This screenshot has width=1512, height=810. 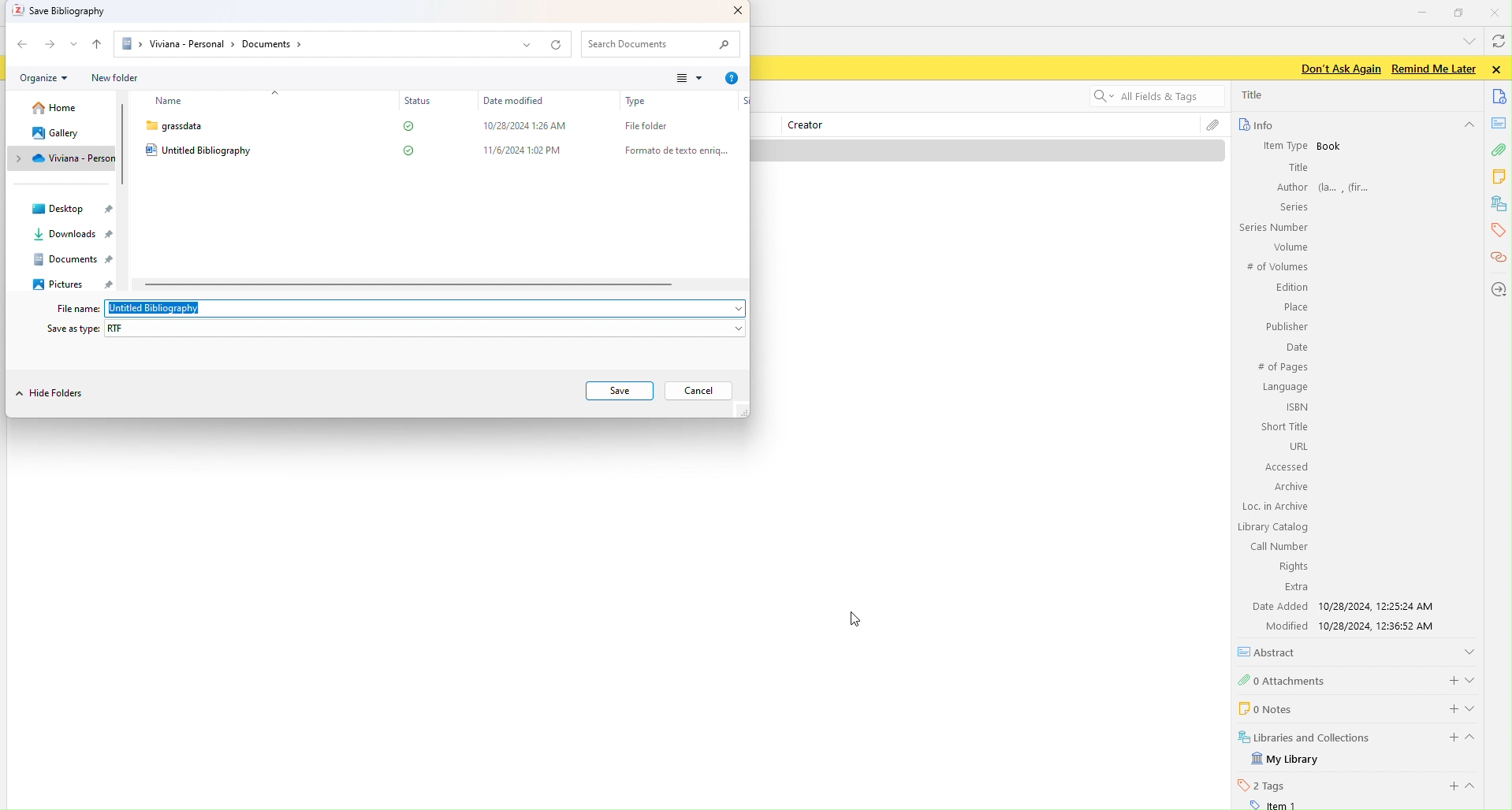 I want to click on notes, so click(x=1500, y=176).